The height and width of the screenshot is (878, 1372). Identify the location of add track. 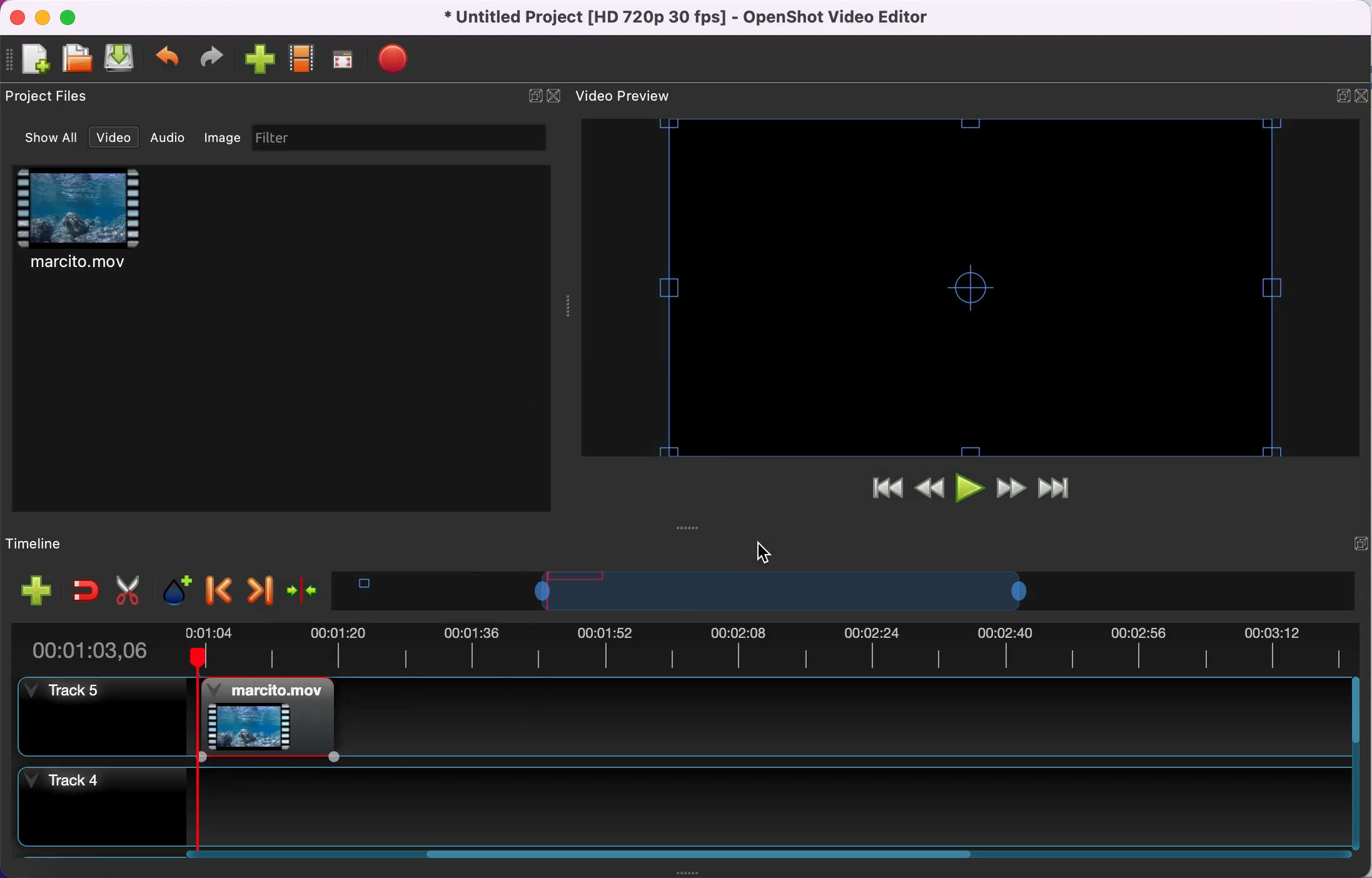
(35, 590).